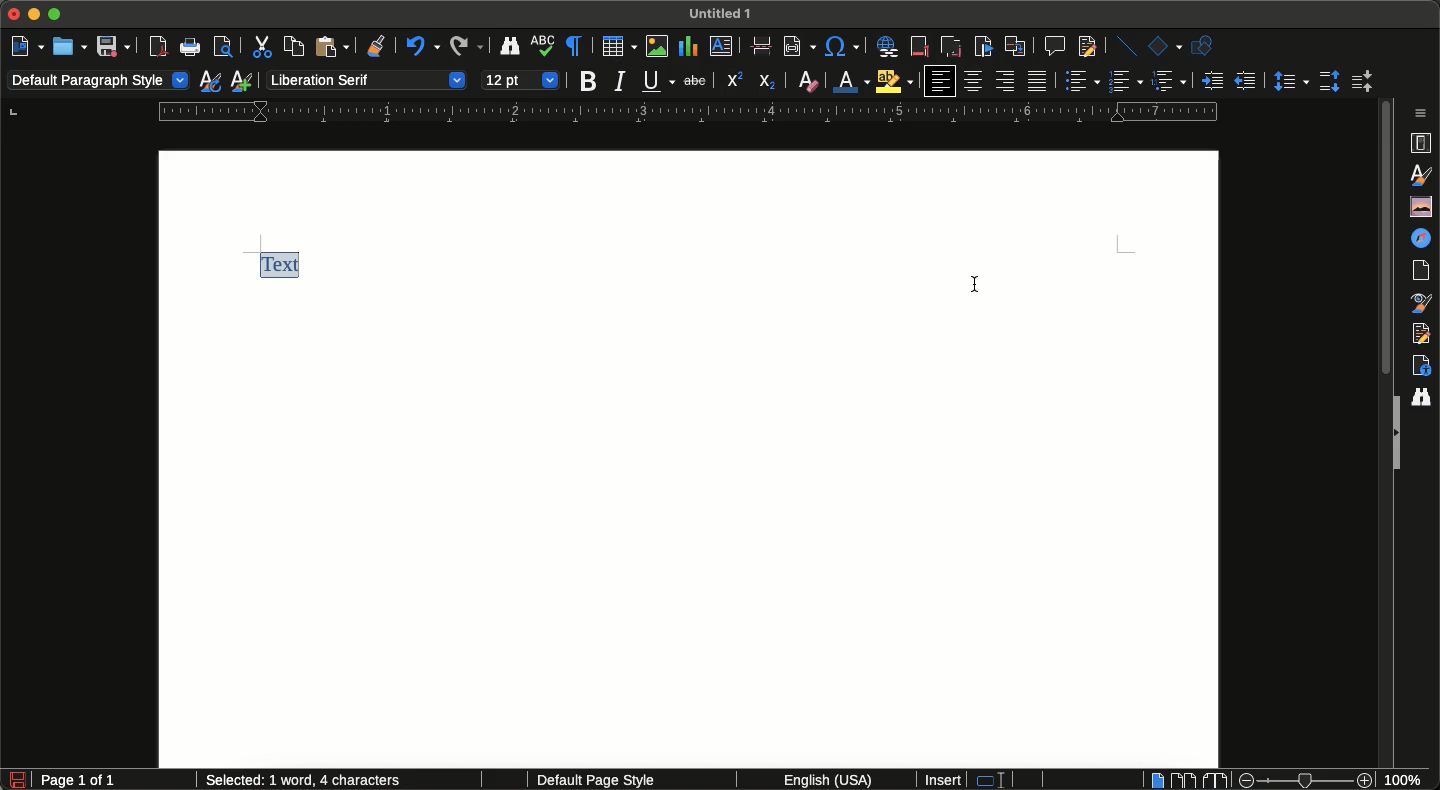 The width and height of the screenshot is (1440, 790). I want to click on Expand, so click(1394, 434).